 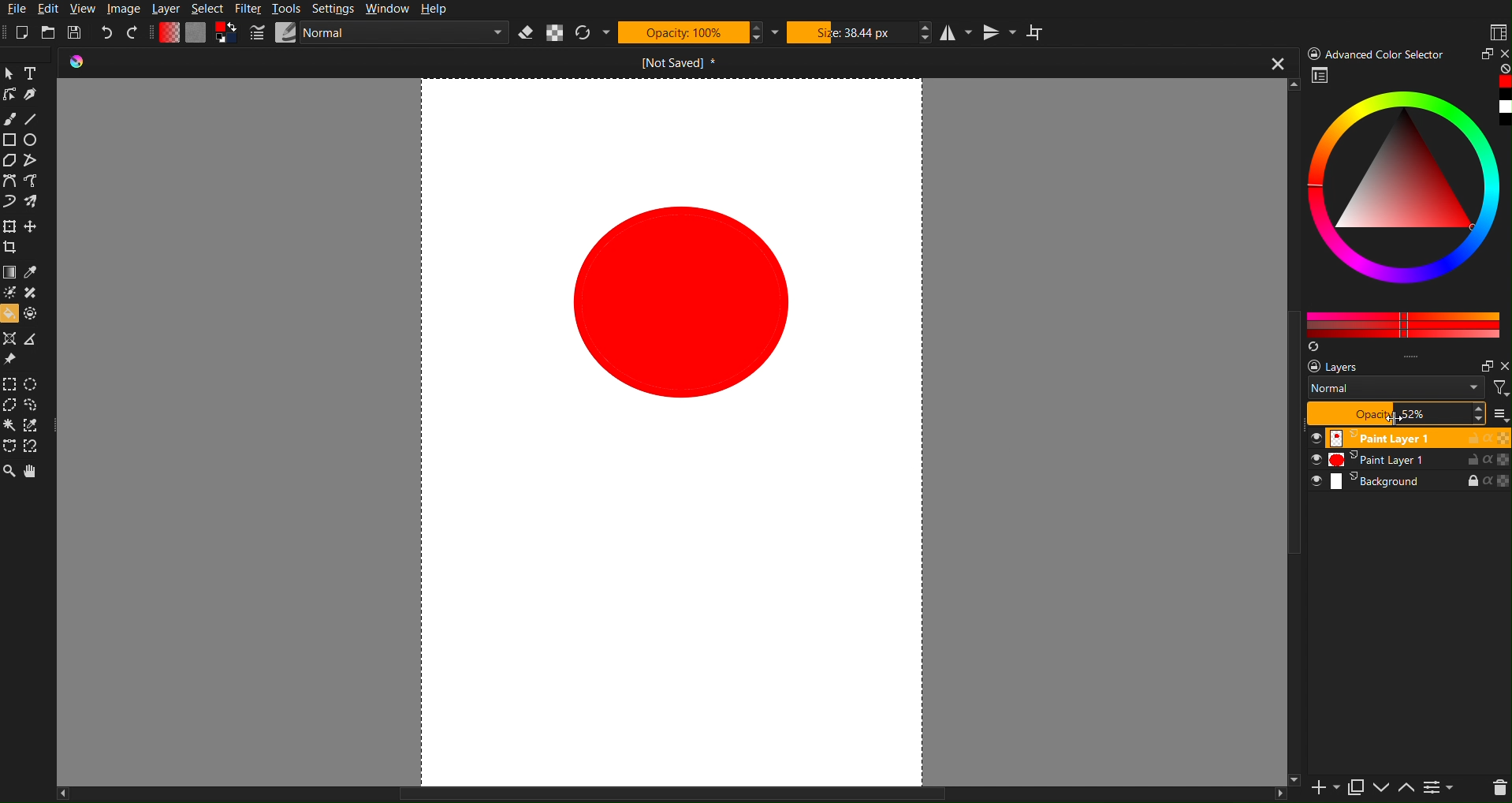 I want to click on File, so click(x=15, y=12).